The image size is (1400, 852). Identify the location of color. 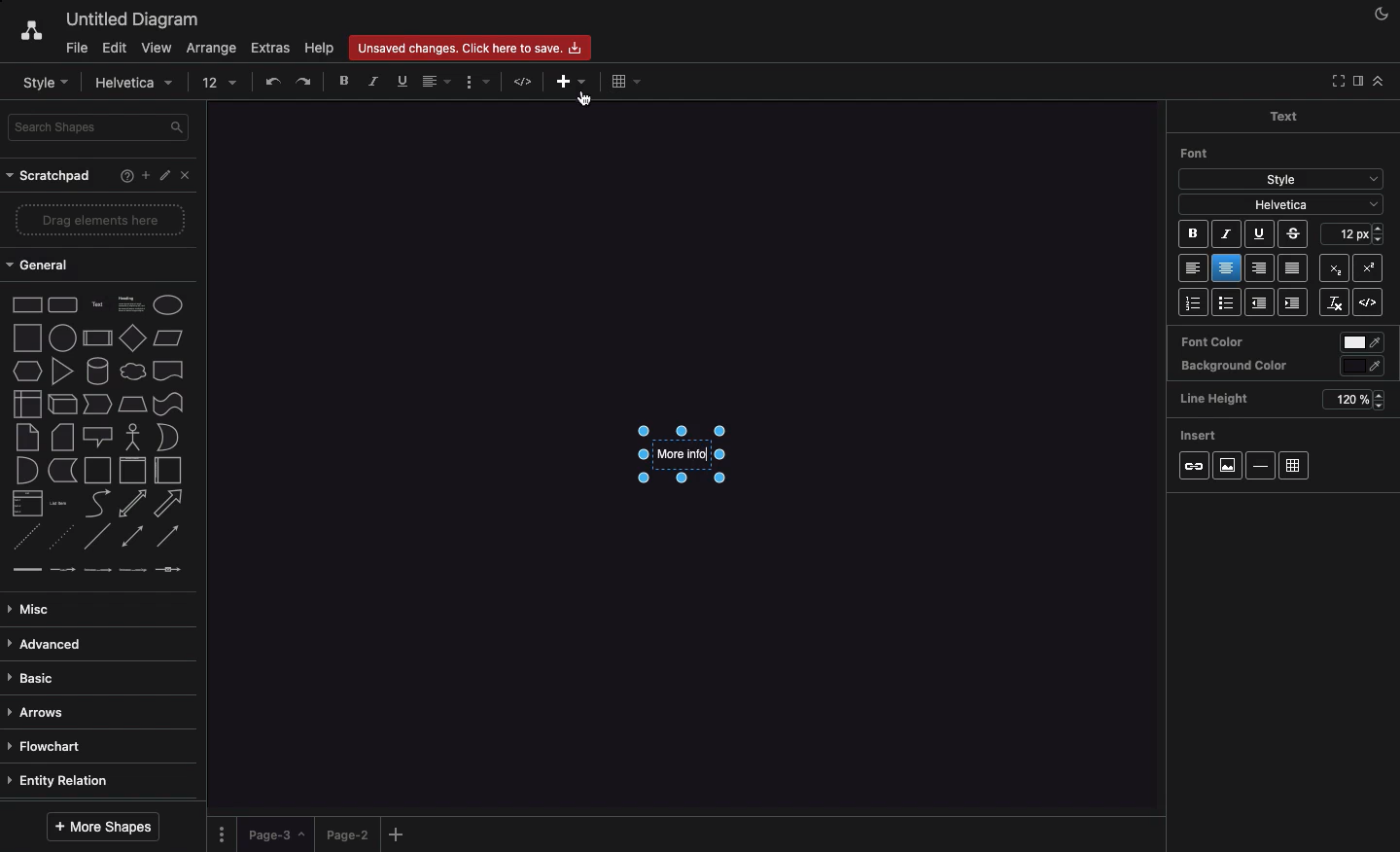
(1364, 367).